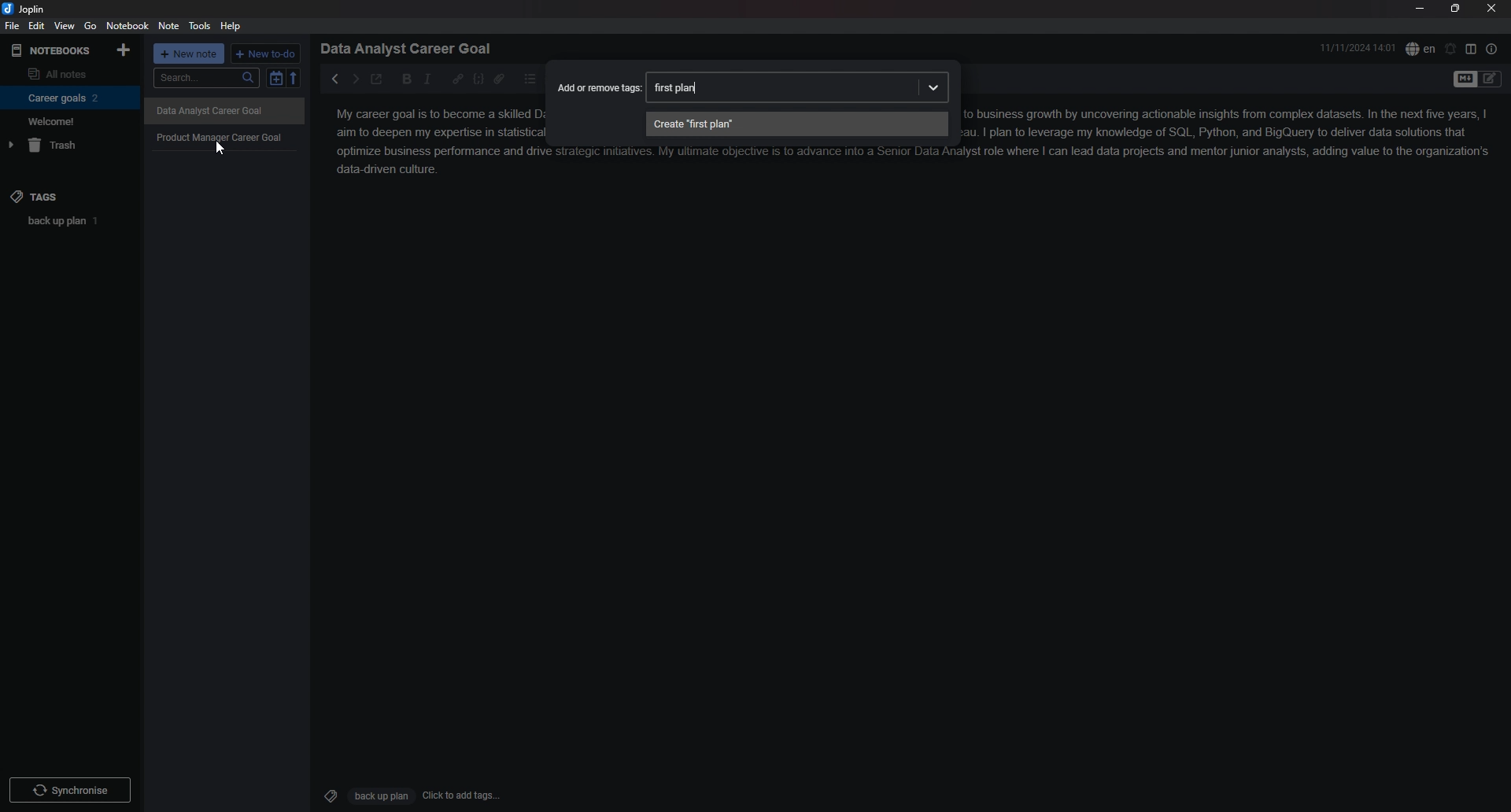  I want to click on attachment, so click(499, 79).